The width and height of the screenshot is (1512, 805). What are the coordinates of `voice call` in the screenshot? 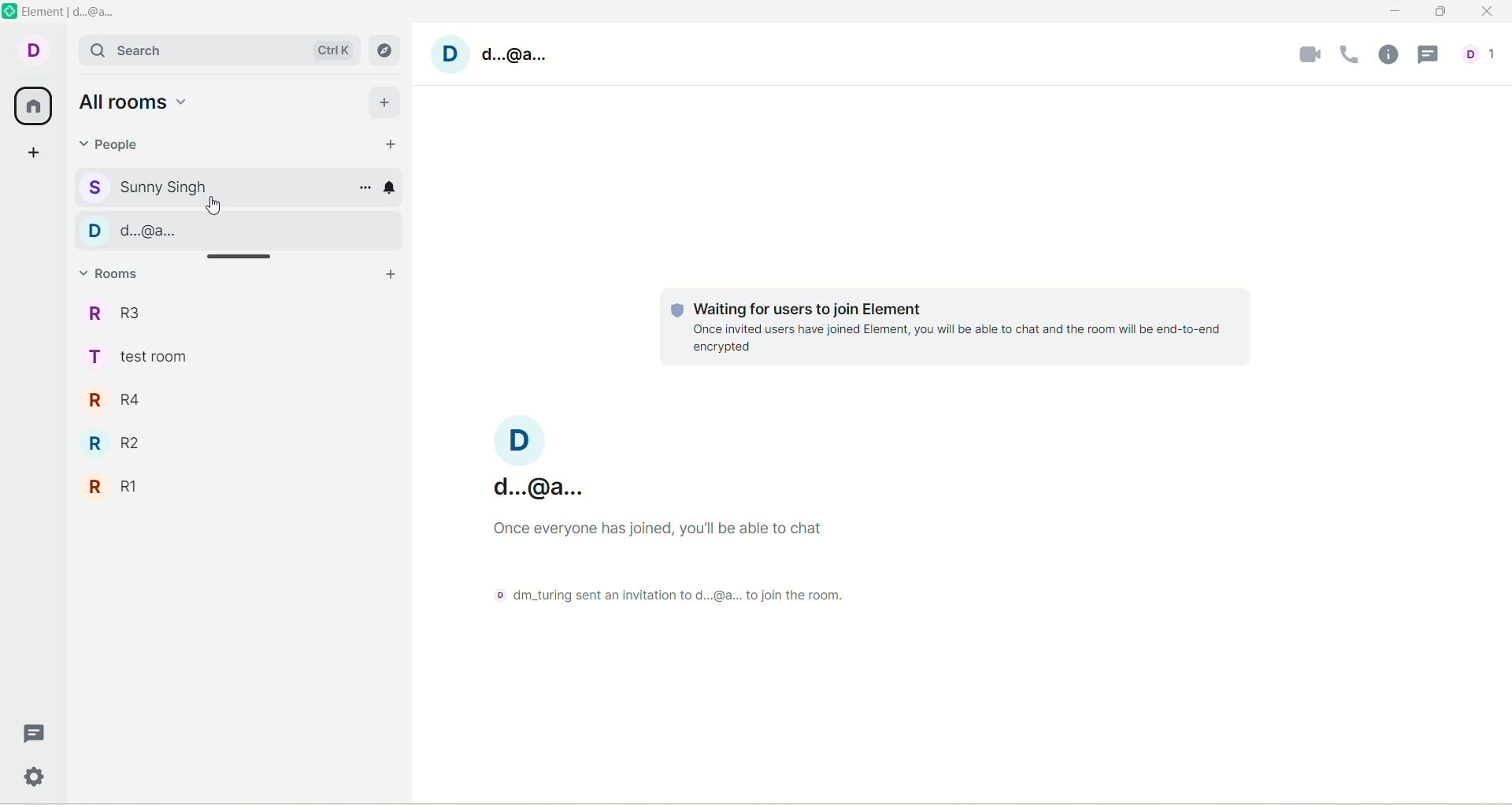 It's located at (1350, 54).